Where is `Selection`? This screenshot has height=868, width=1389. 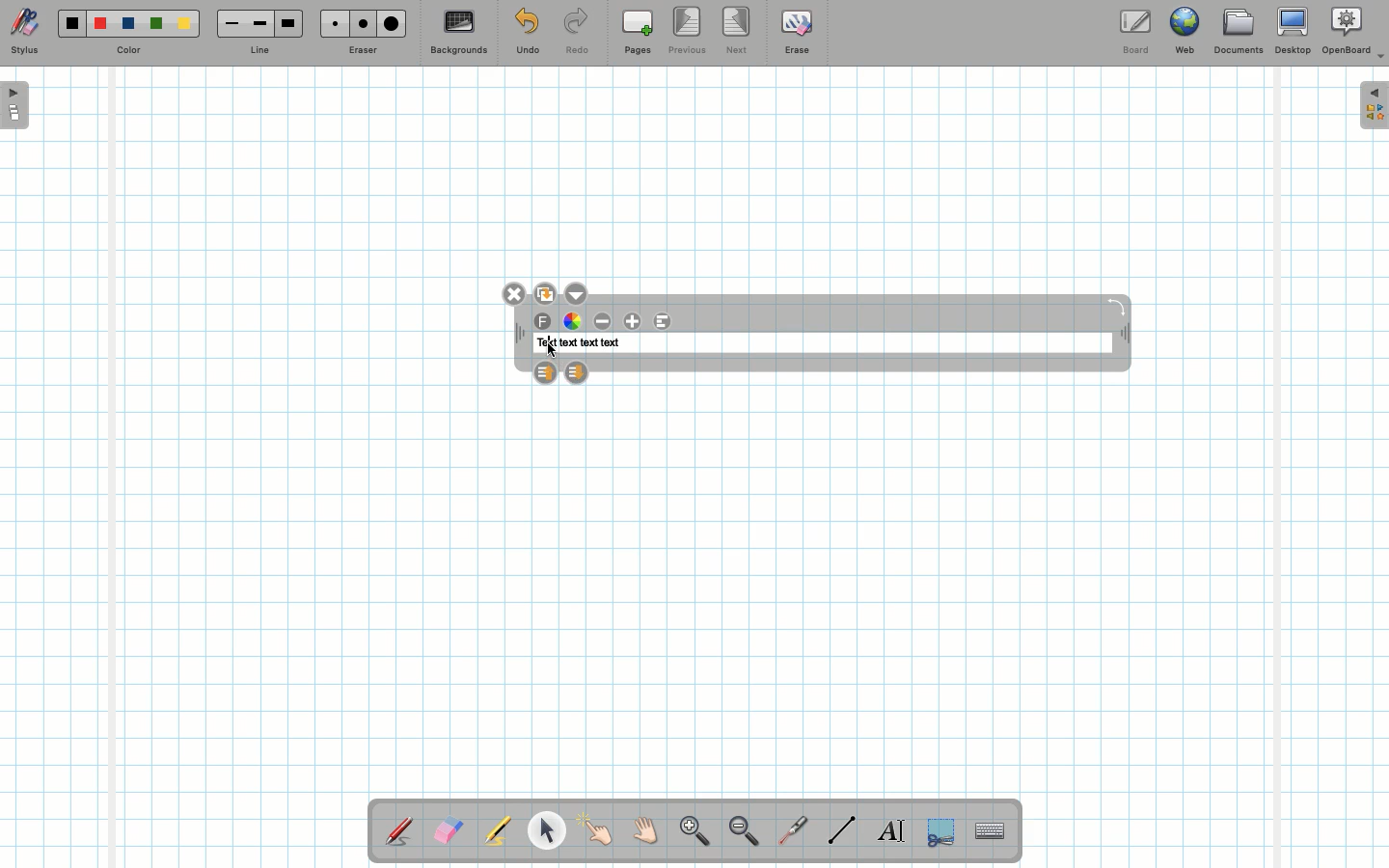
Selection is located at coordinates (939, 829).